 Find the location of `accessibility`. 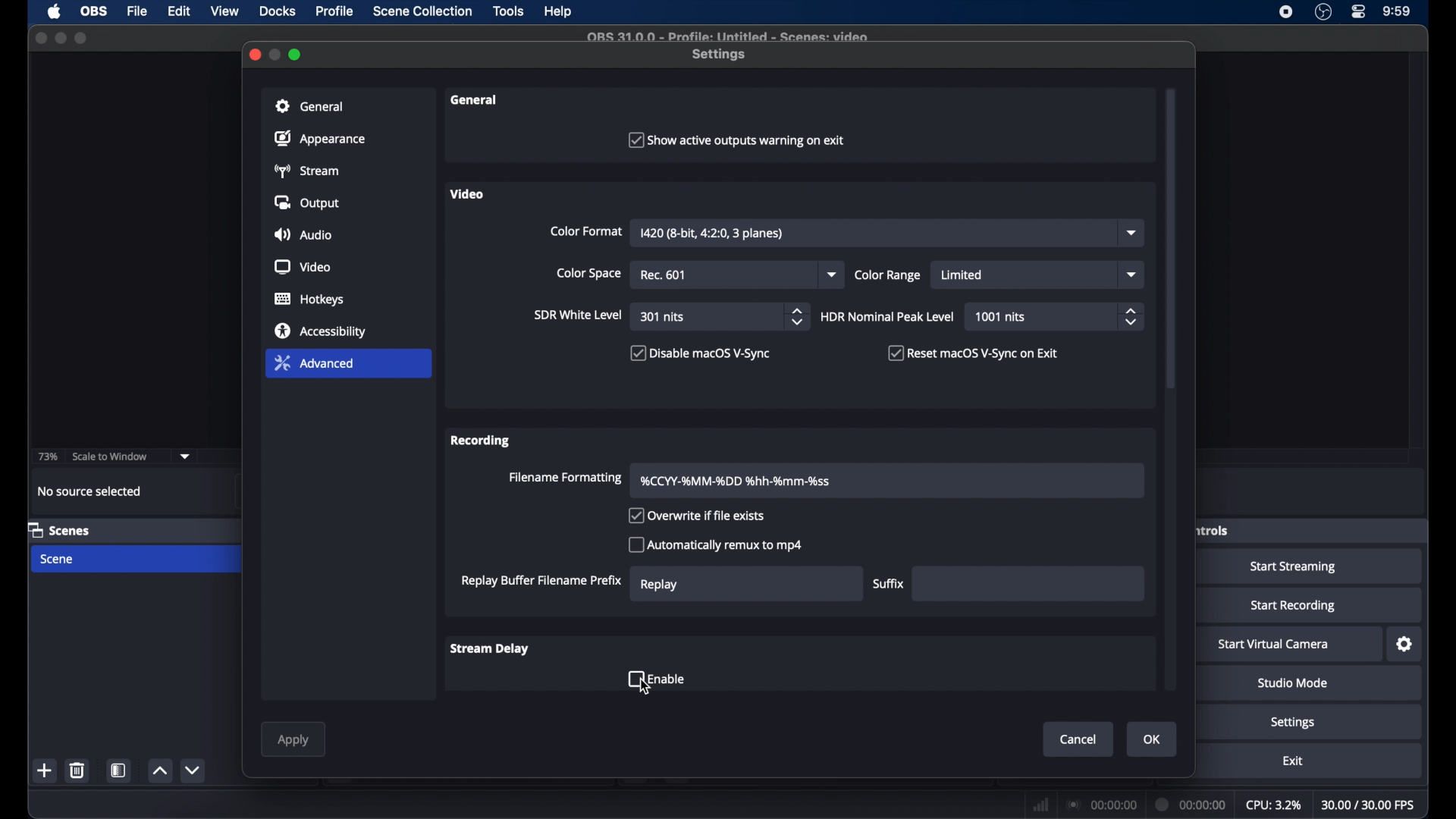

accessibility is located at coordinates (319, 331).